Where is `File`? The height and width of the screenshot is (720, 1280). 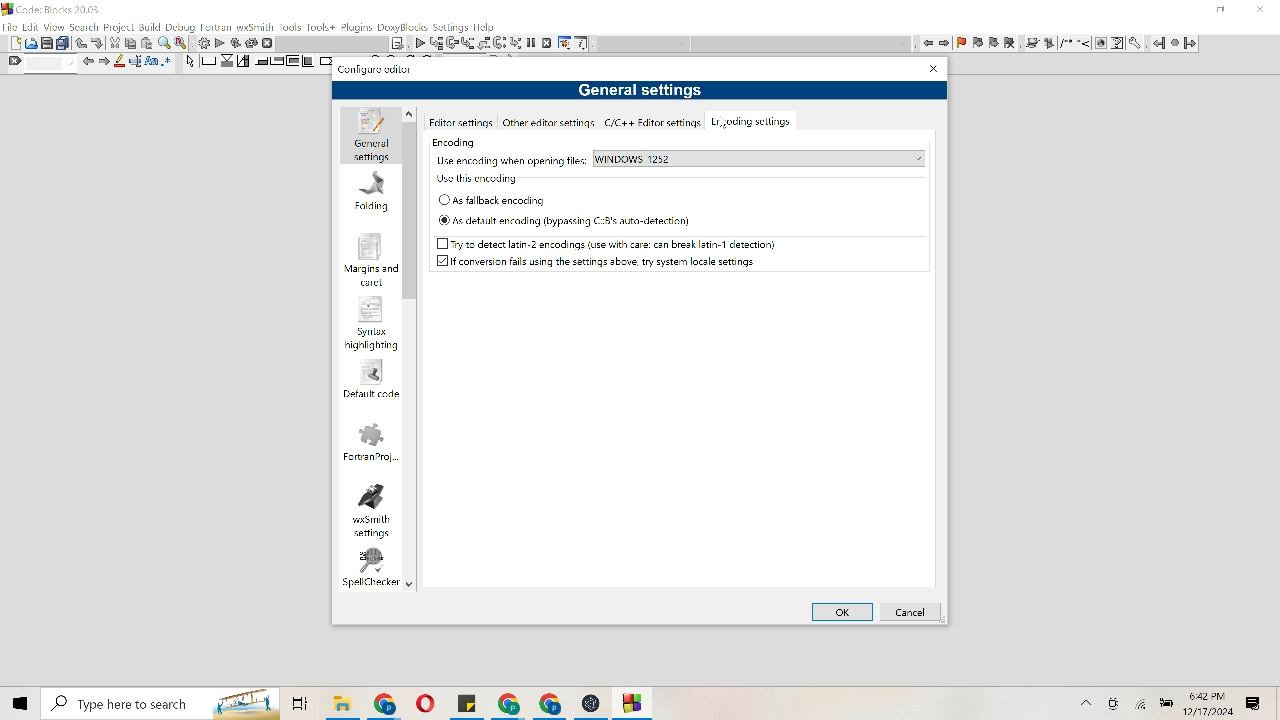 File is located at coordinates (342, 703).